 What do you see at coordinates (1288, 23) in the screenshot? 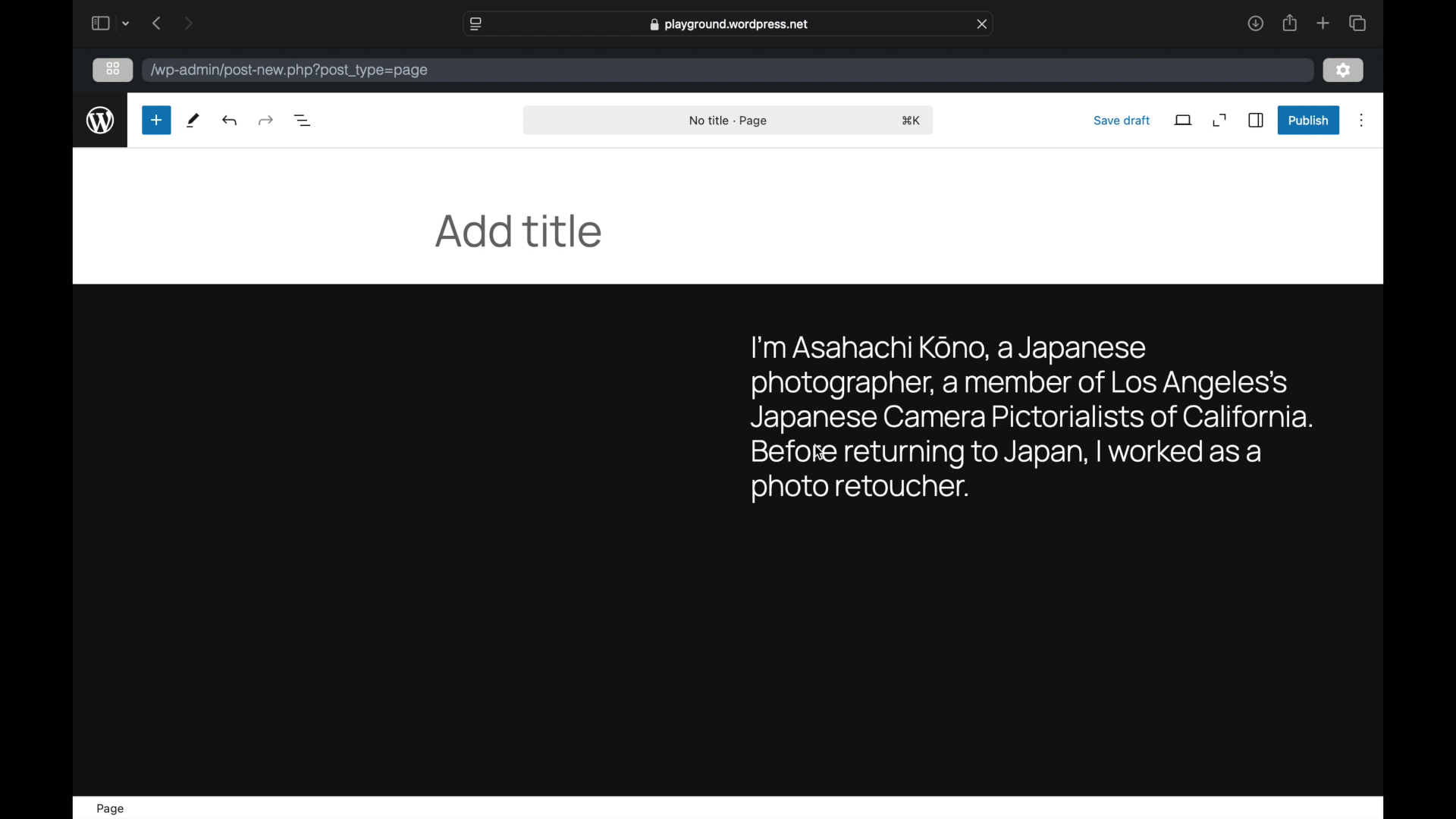
I see `share` at bounding box center [1288, 23].